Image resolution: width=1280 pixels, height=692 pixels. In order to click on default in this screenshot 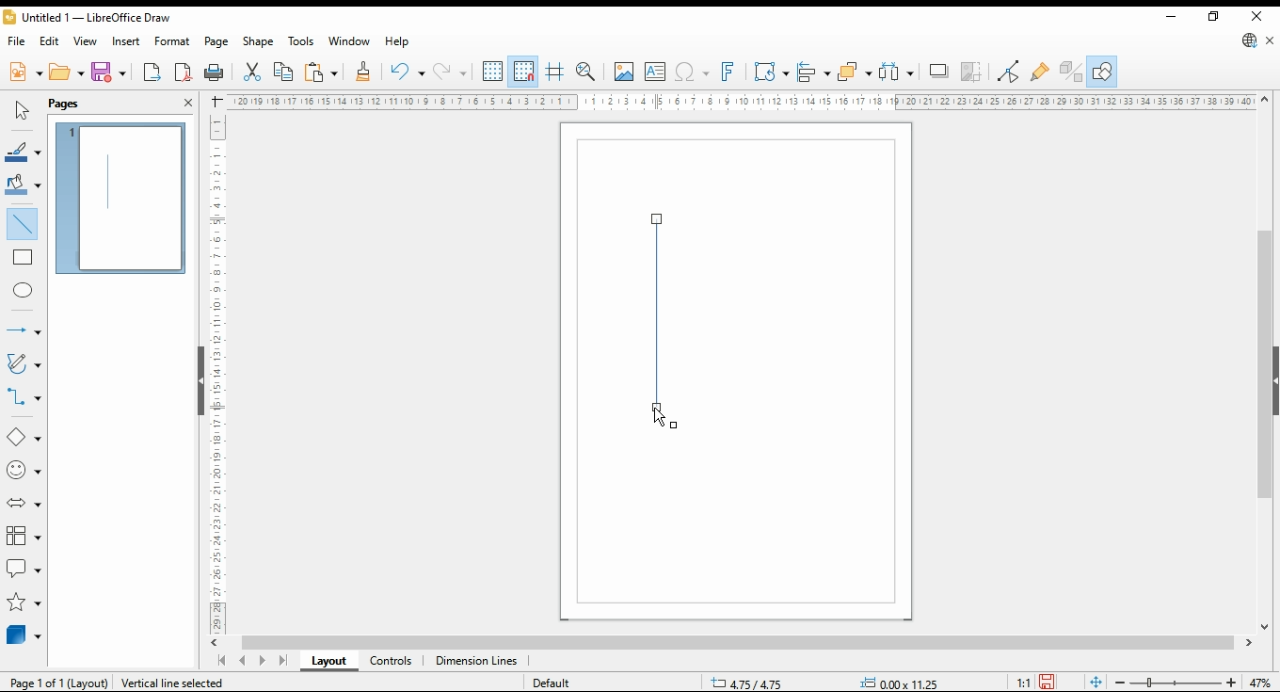, I will do `click(557, 684)`.